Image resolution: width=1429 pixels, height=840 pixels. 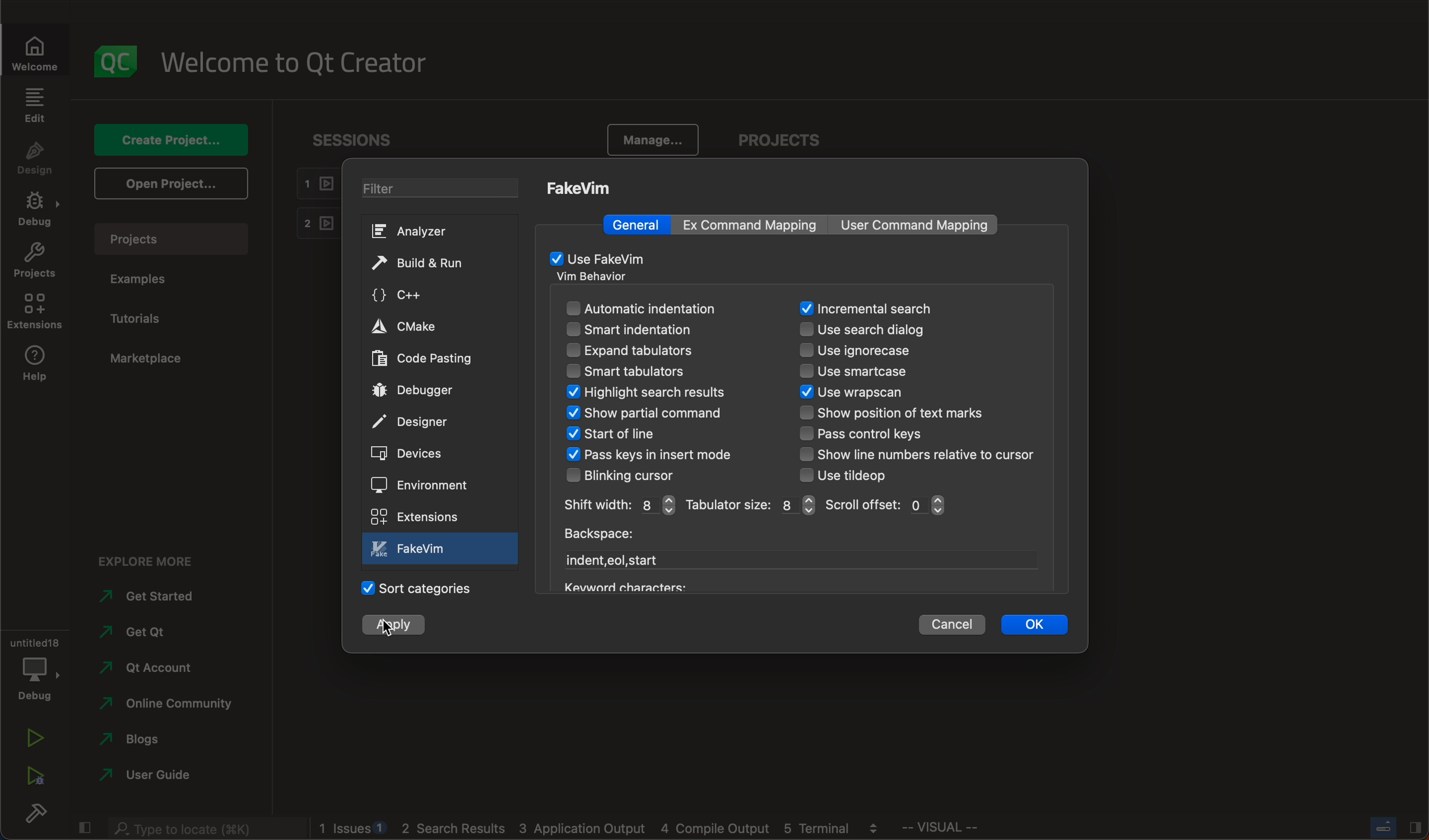 What do you see at coordinates (169, 238) in the screenshot?
I see `project` at bounding box center [169, 238].